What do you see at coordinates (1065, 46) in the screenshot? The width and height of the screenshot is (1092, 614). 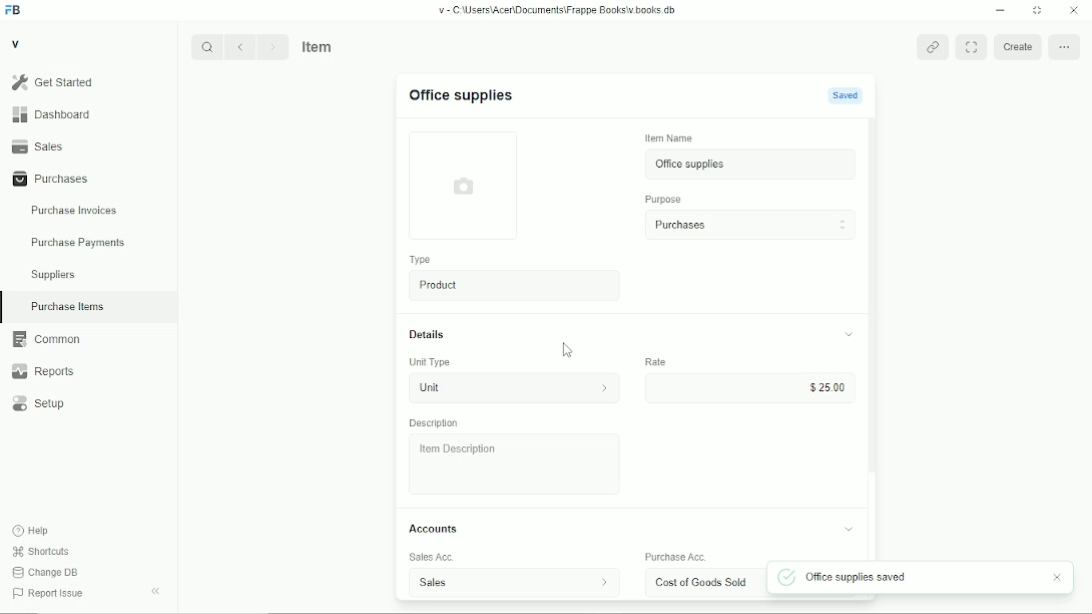 I see `options` at bounding box center [1065, 46].